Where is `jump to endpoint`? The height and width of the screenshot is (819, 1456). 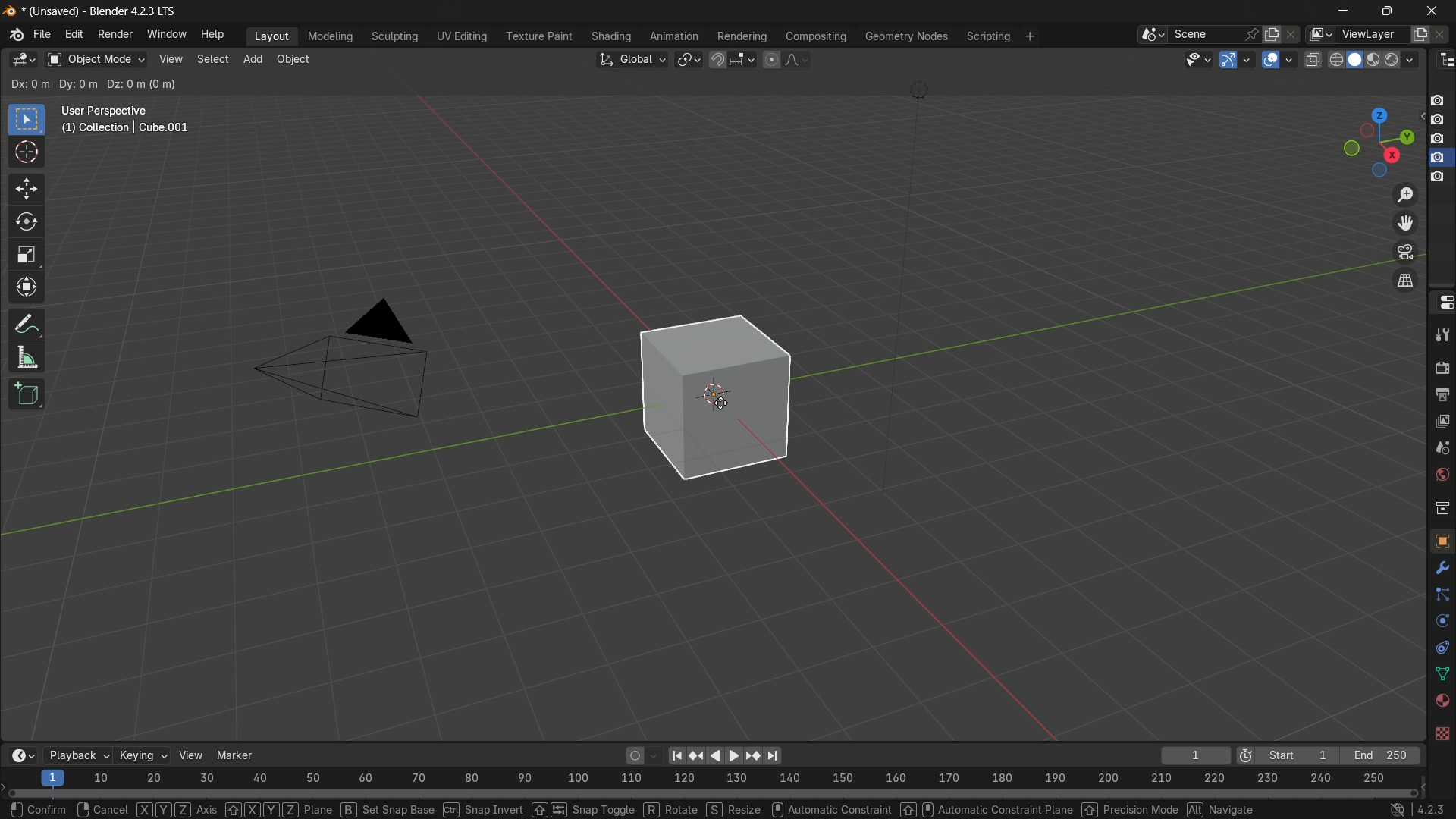 jump to endpoint is located at coordinates (771, 755).